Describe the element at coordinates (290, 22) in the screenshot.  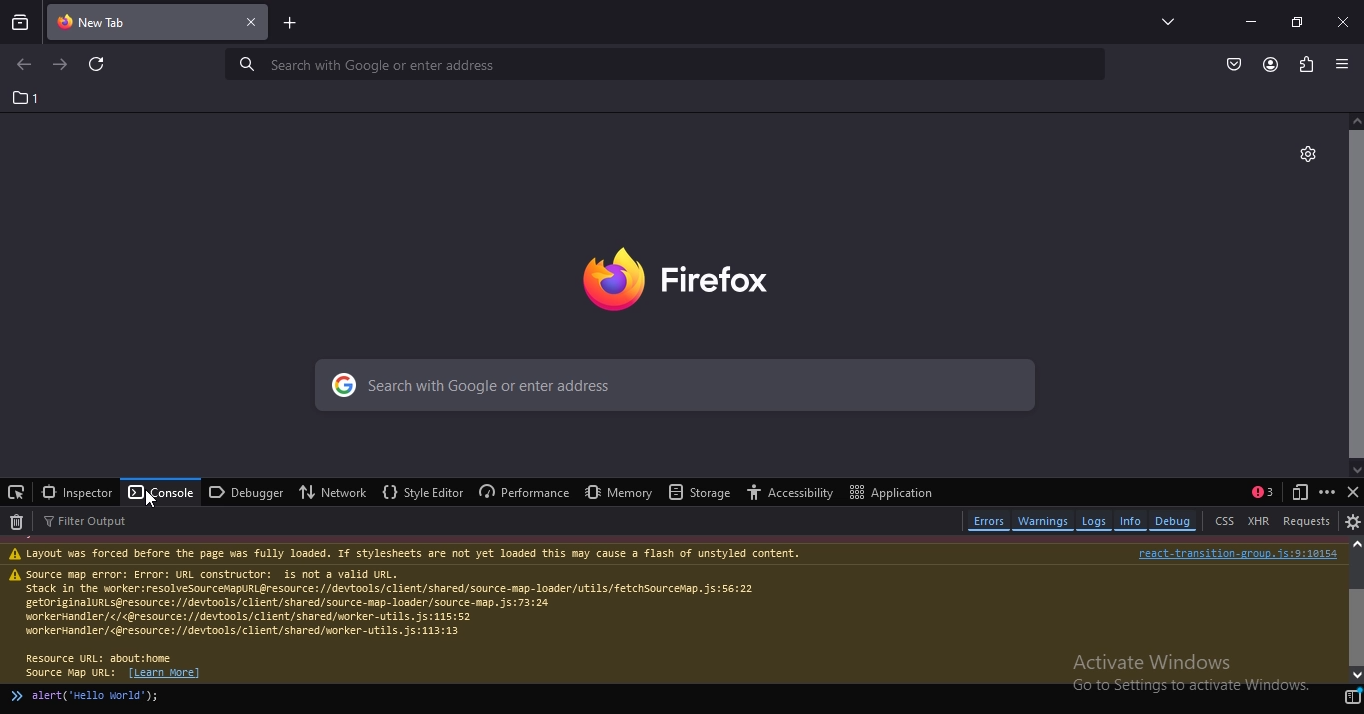
I see `new tab` at that location.